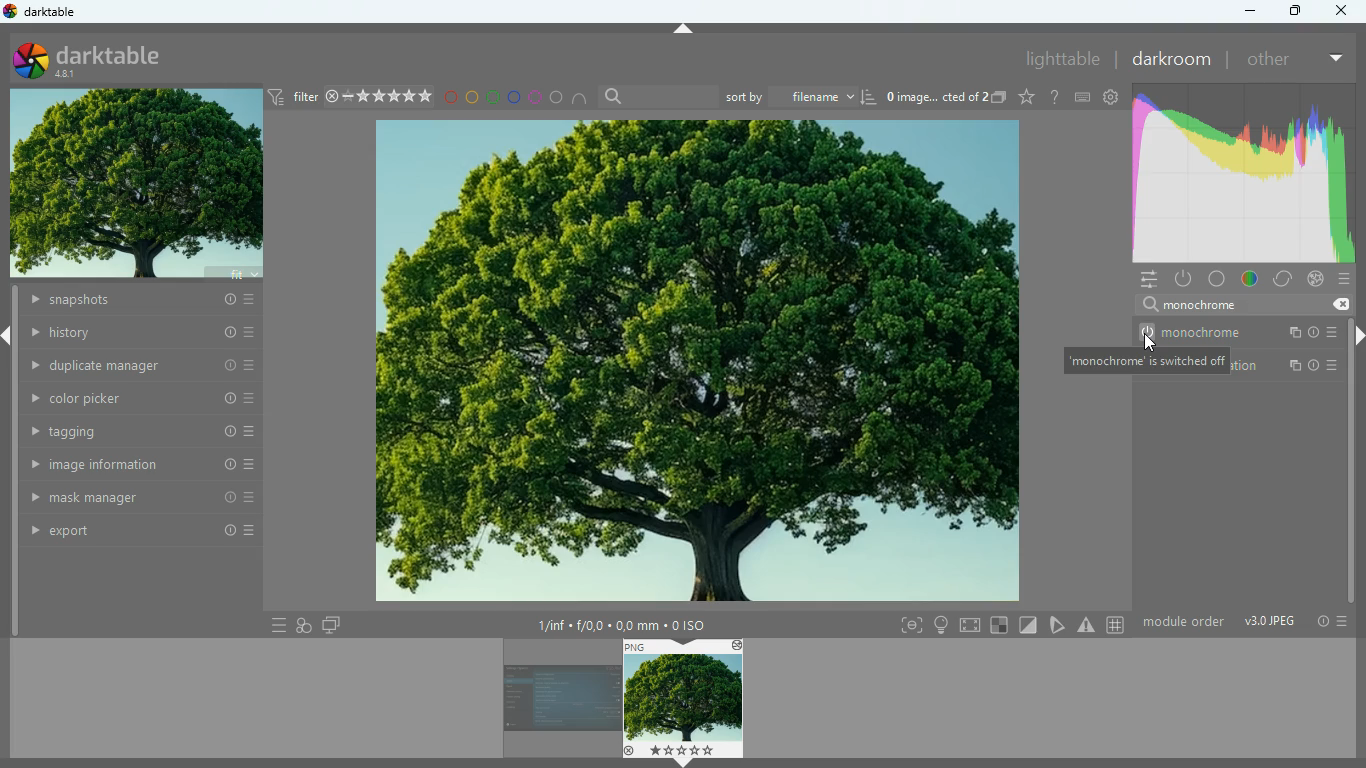 This screenshot has width=1366, height=768. What do you see at coordinates (1239, 334) in the screenshot?
I see `monochorme` at bounding box center [1239, 334].